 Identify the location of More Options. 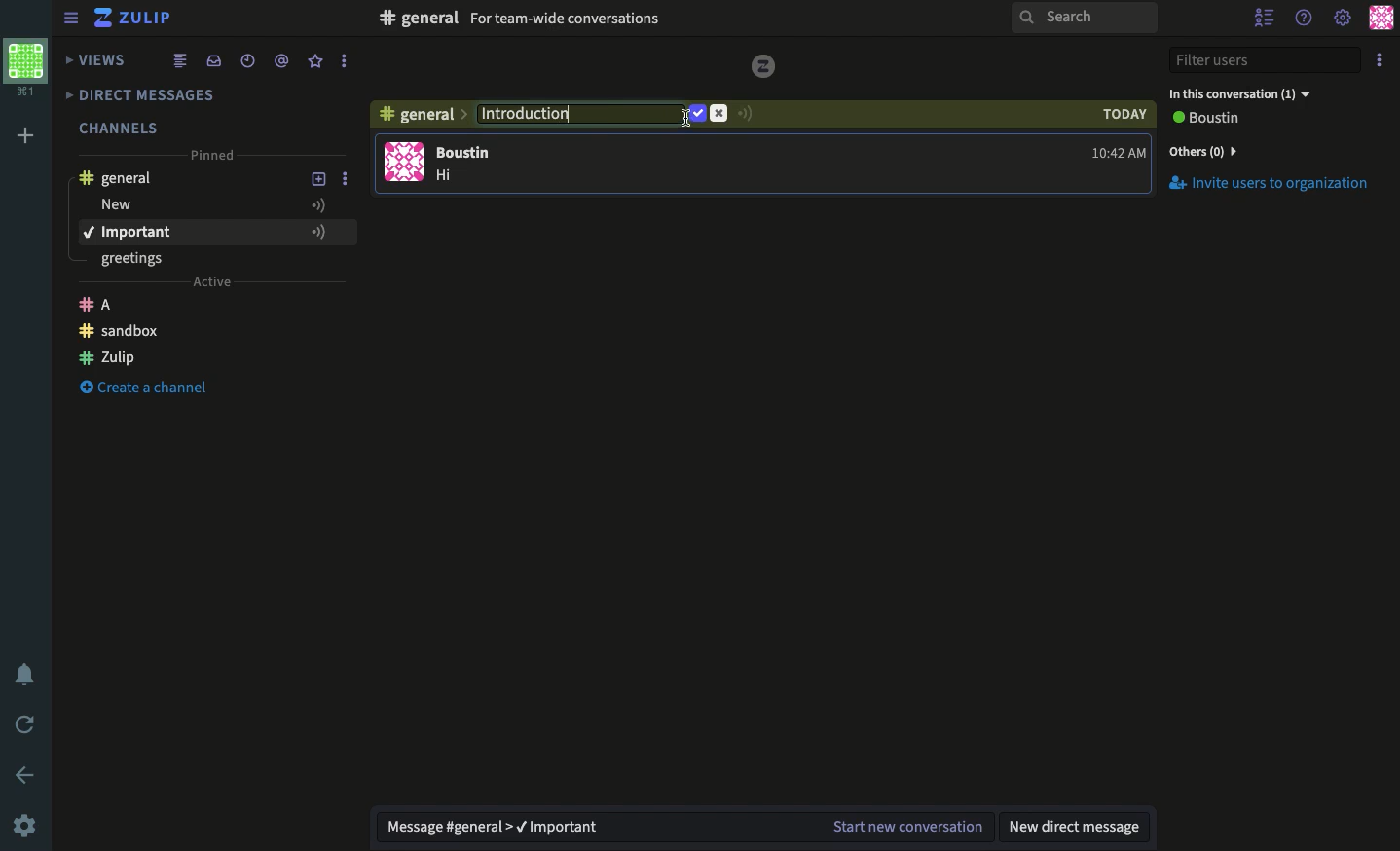
(352, 180).